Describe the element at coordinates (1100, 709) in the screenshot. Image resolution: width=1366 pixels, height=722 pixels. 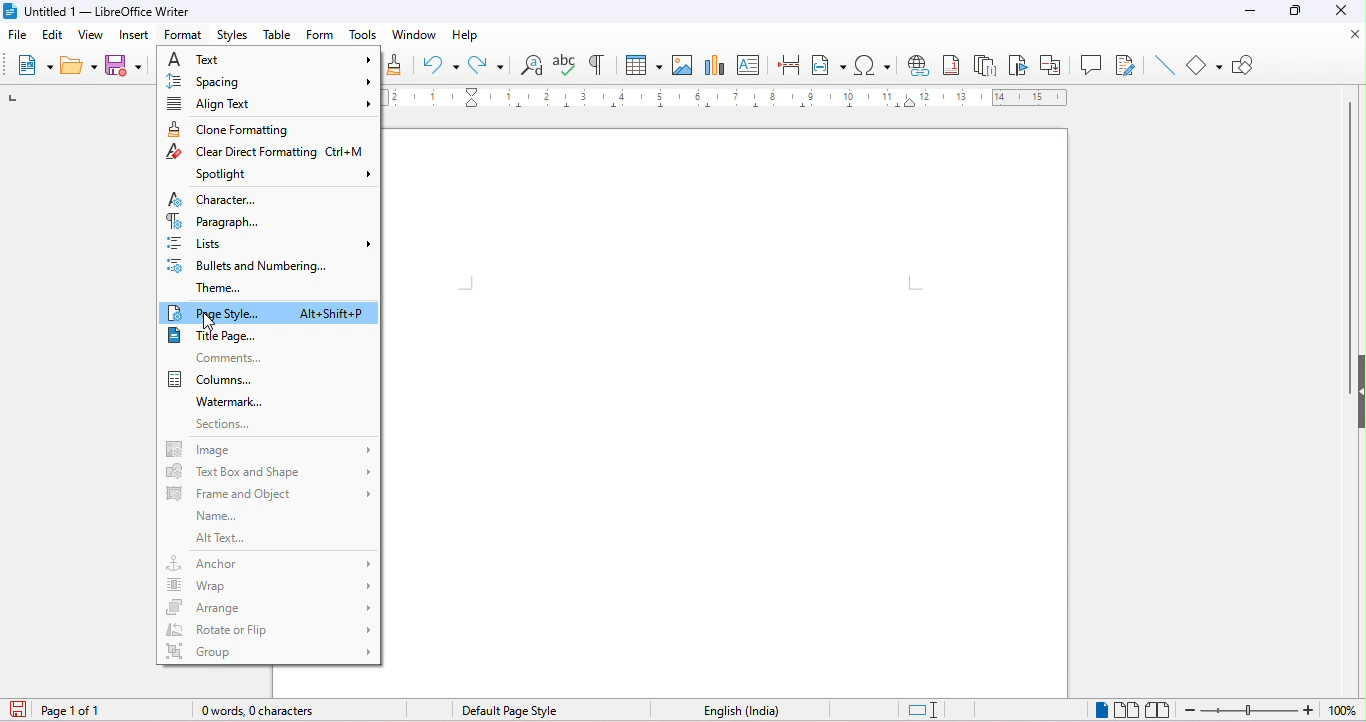
I see `single page view` at that location.